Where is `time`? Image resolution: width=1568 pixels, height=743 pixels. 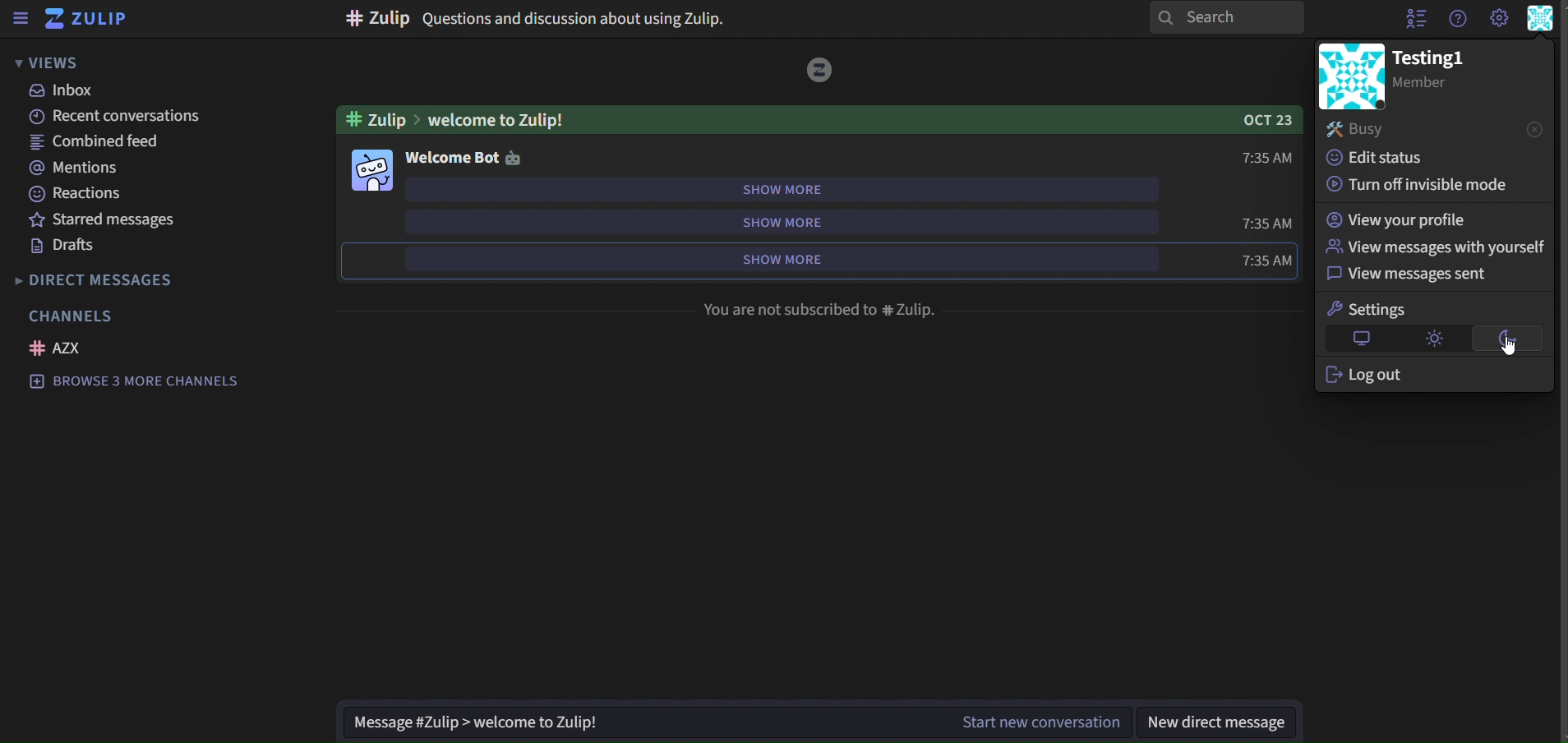
time is located at coordinates (1263, 158).